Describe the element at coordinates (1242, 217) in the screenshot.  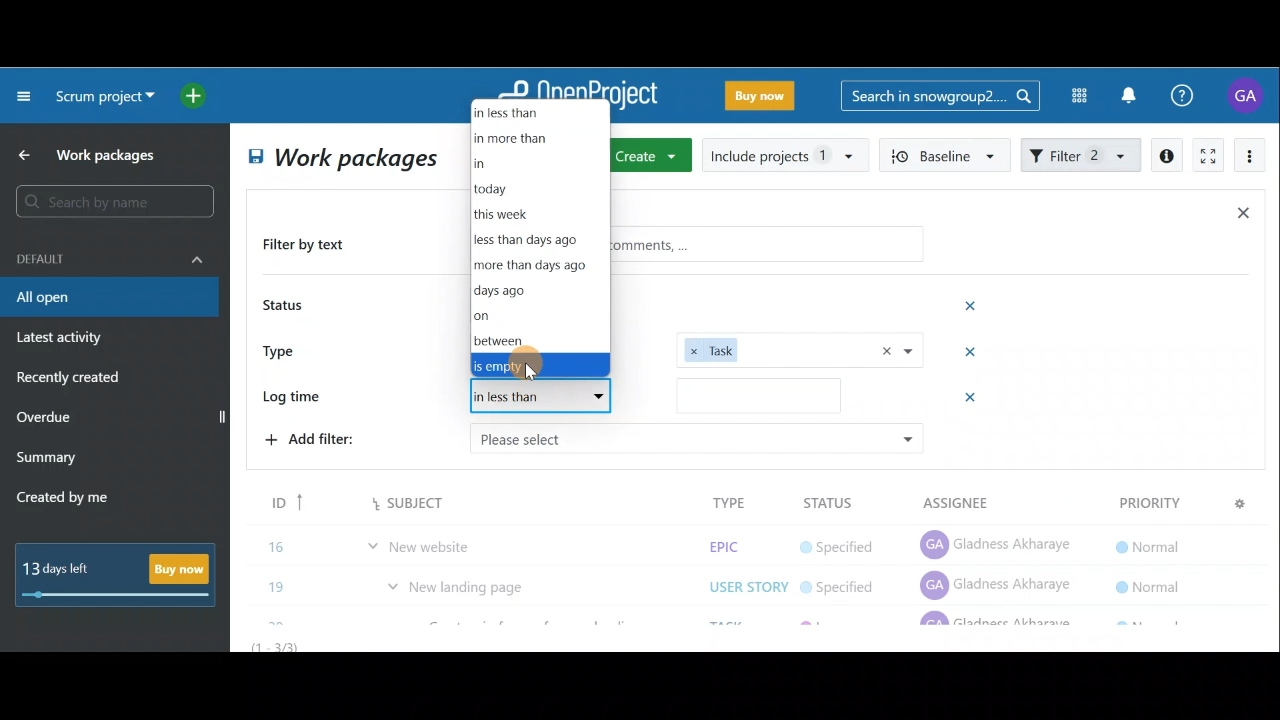
I see `Close` at that location.